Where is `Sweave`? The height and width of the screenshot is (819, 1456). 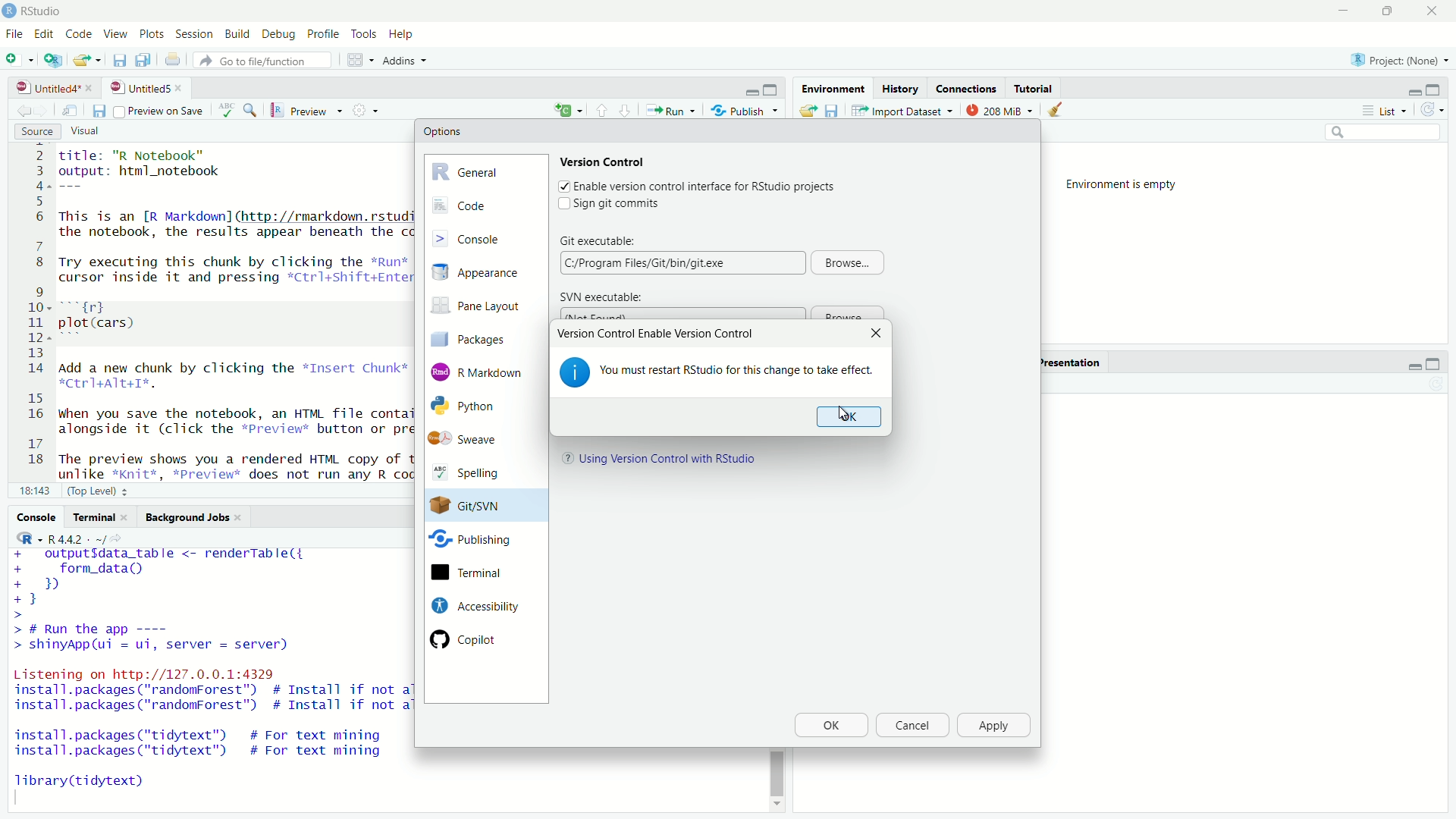 Sweave is located at coordinates (472, 439).